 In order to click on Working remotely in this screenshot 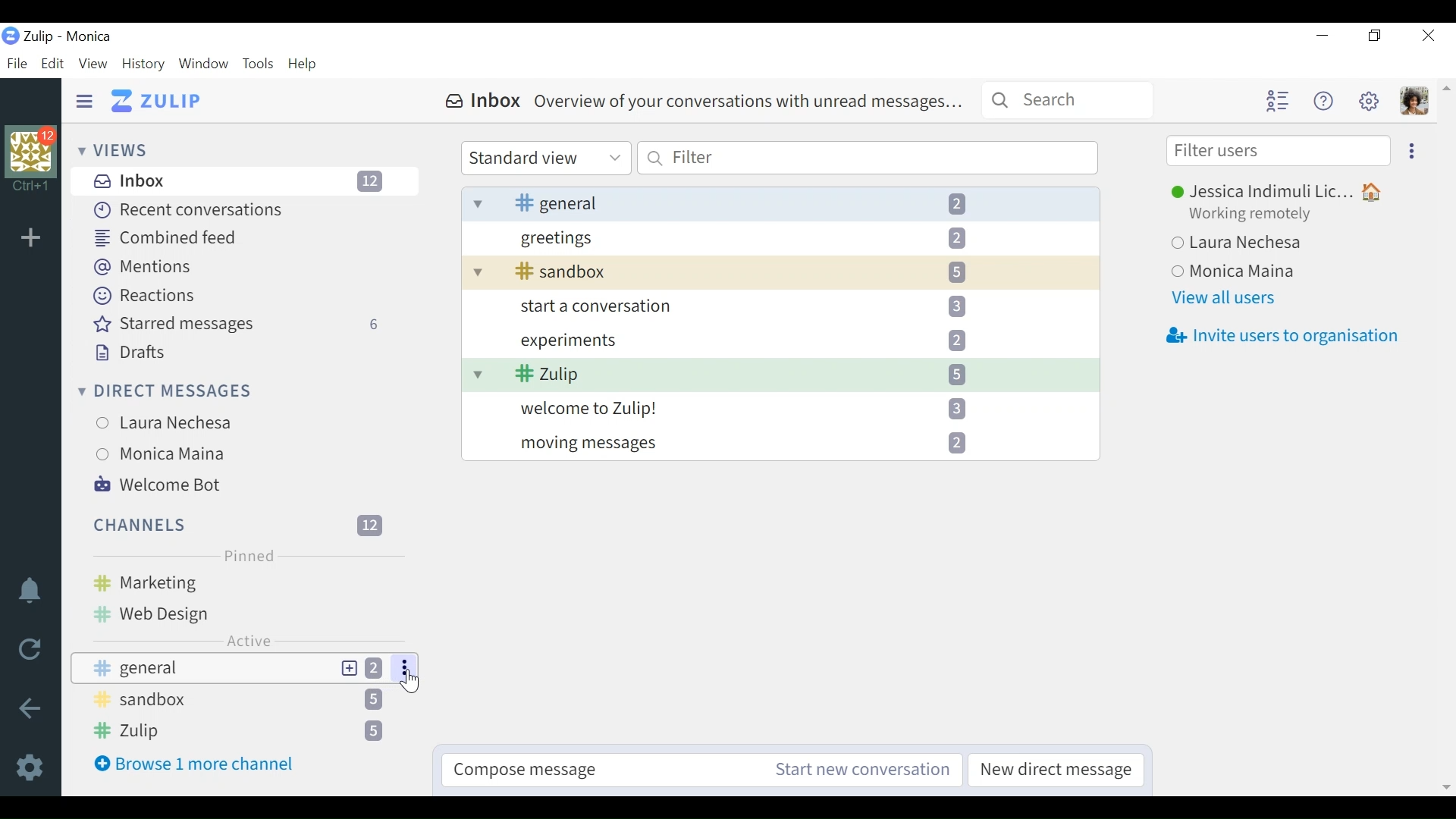, I will do `click(1260, 215)`.